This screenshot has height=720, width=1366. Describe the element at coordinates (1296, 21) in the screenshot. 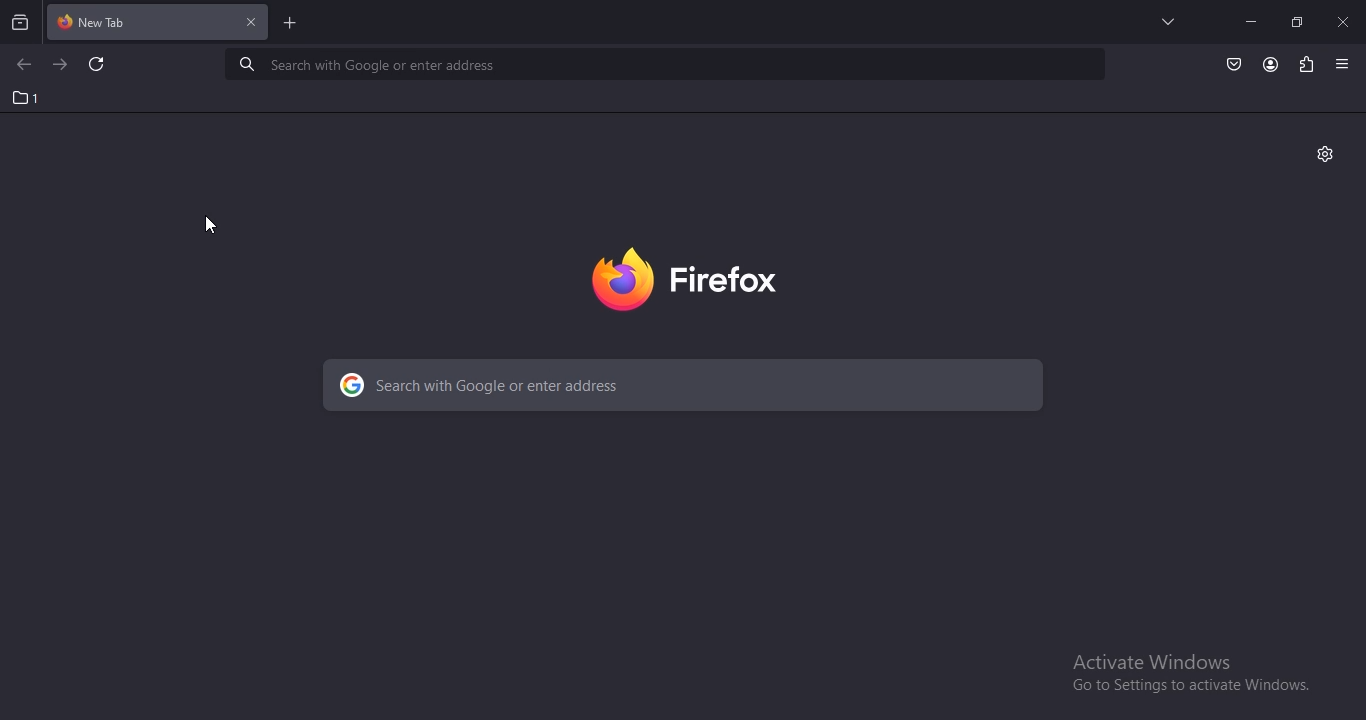

I see `restore` at that location.